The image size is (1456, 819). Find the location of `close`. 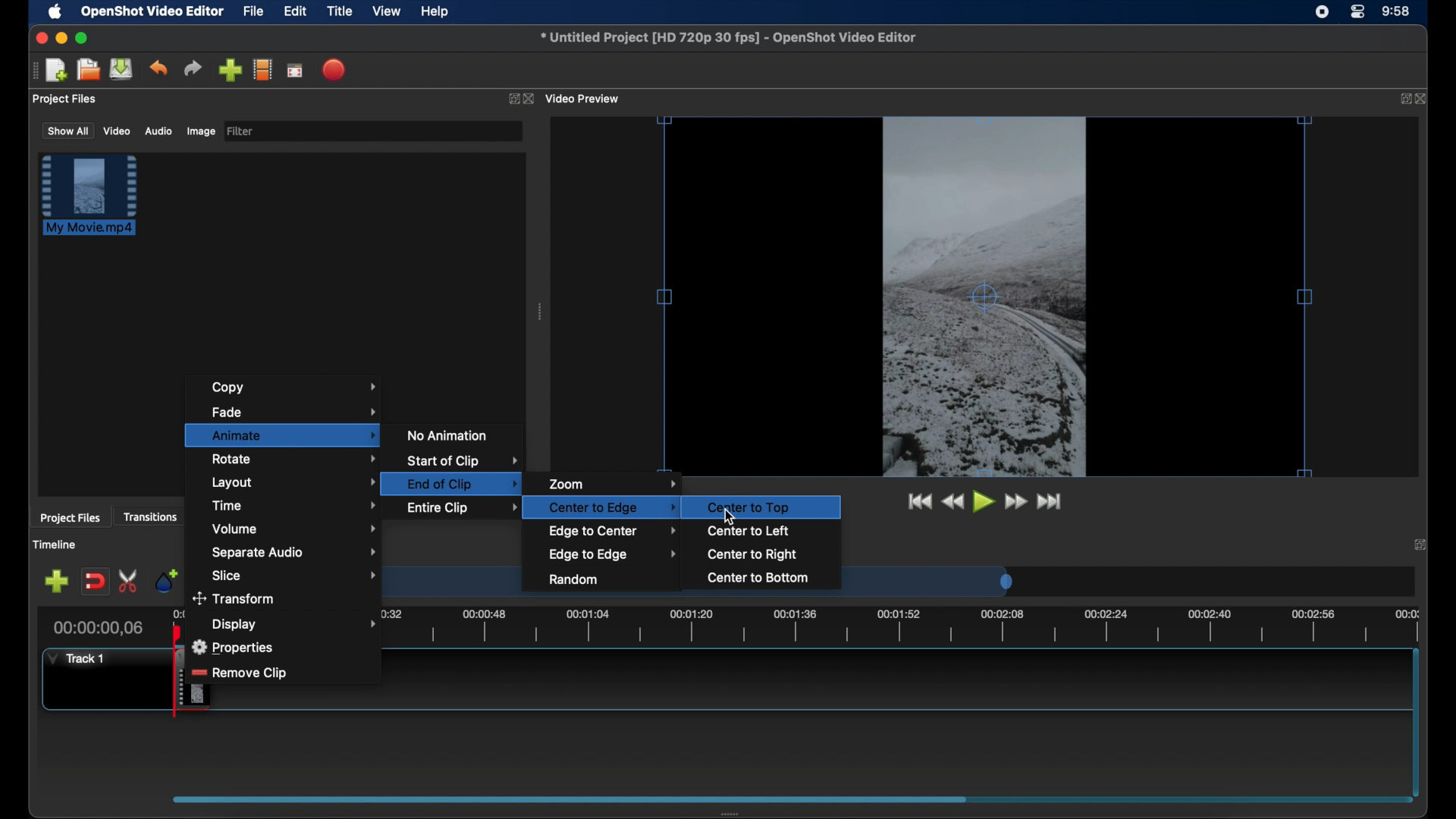

close is located at coordinates (1423, 99).